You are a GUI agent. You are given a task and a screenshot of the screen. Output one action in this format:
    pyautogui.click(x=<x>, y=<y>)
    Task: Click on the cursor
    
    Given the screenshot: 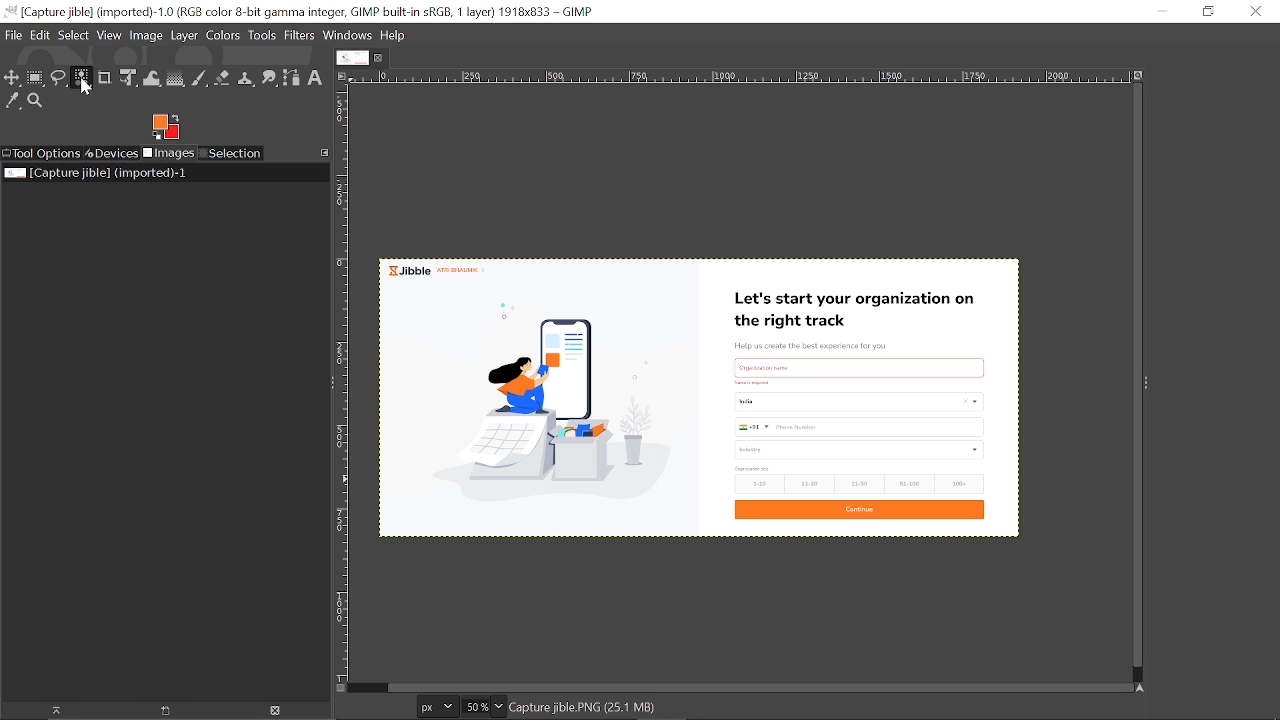 What is the action you would take?
    pyautogui.click(x=84, y=93)
    